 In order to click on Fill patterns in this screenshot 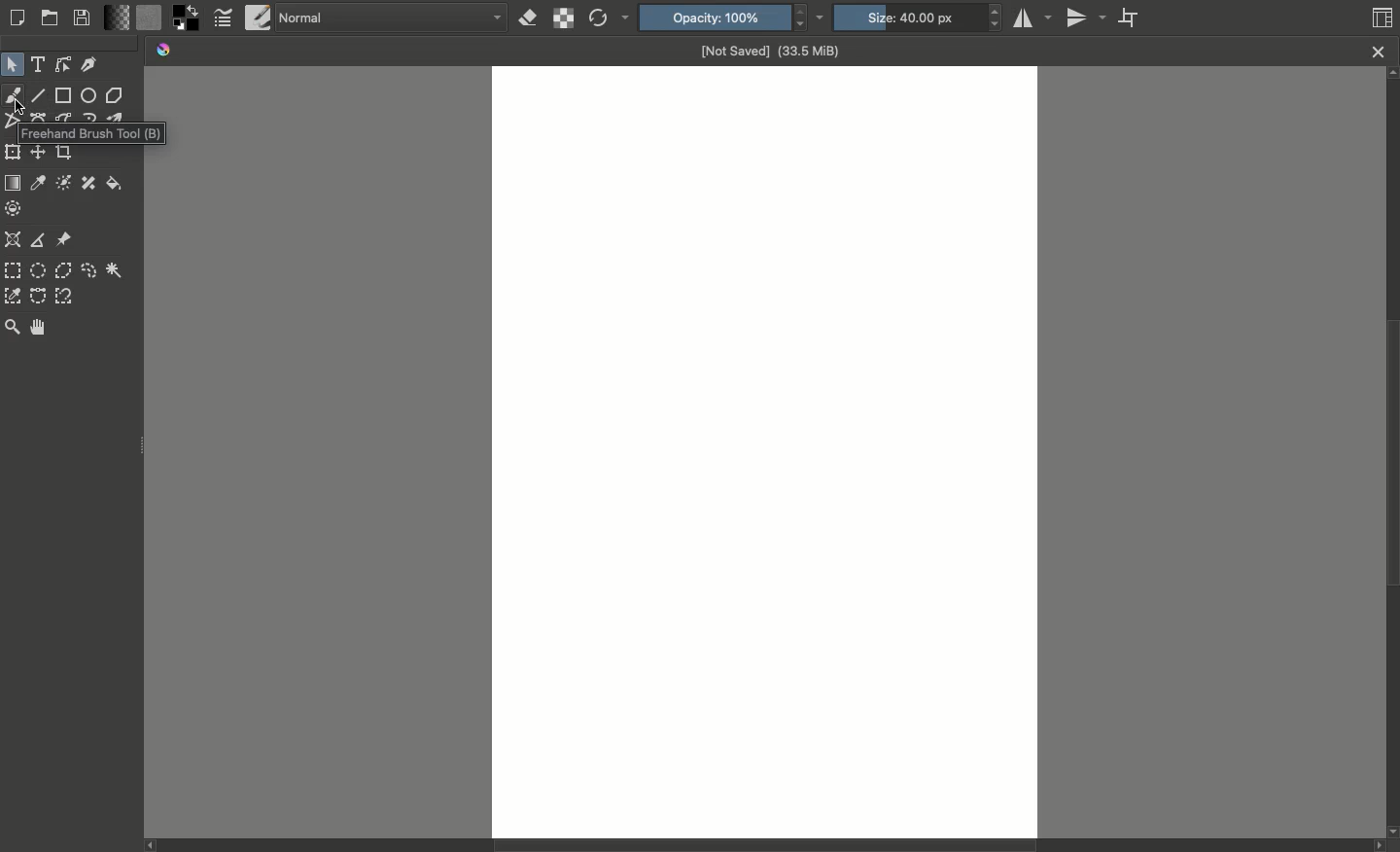, I will do `click(150, 18)`.